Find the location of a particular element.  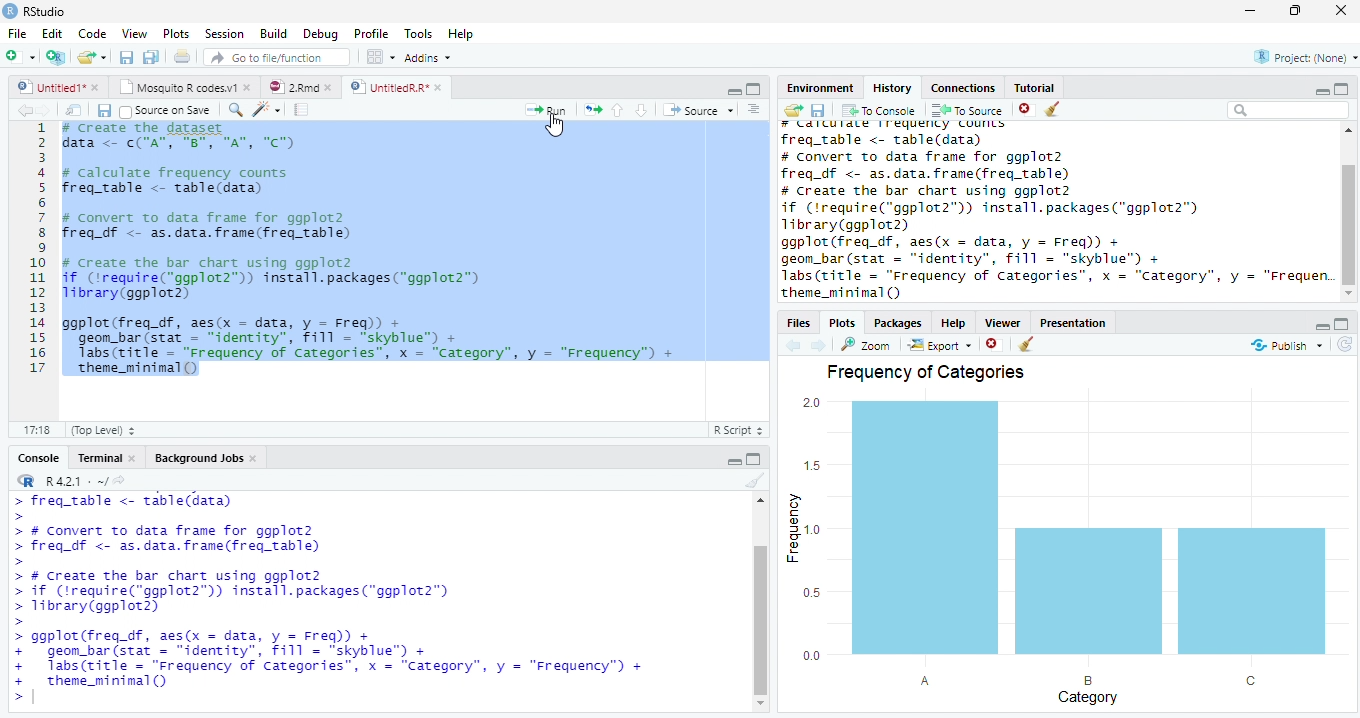

Show in new window is located at coordinates (74, 110).